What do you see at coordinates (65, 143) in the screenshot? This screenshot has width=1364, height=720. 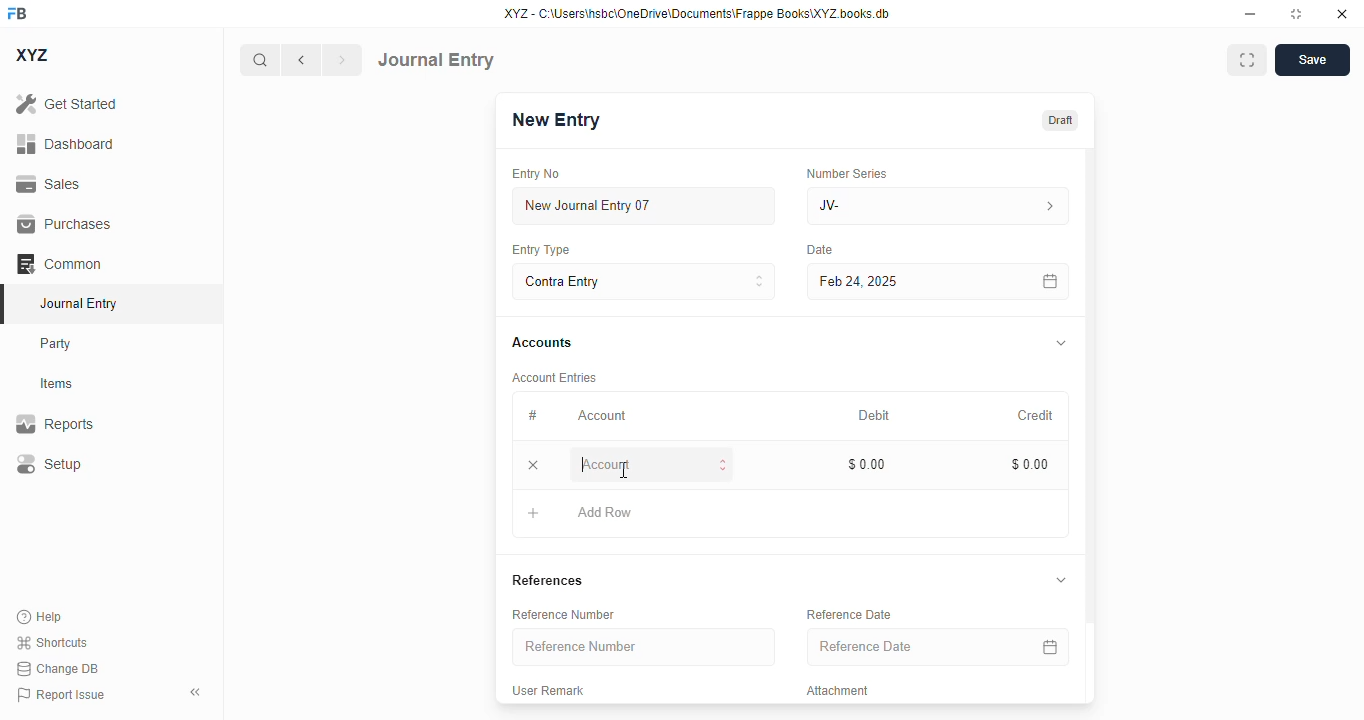 I see `dashboard` at bounding box center [65, 143].